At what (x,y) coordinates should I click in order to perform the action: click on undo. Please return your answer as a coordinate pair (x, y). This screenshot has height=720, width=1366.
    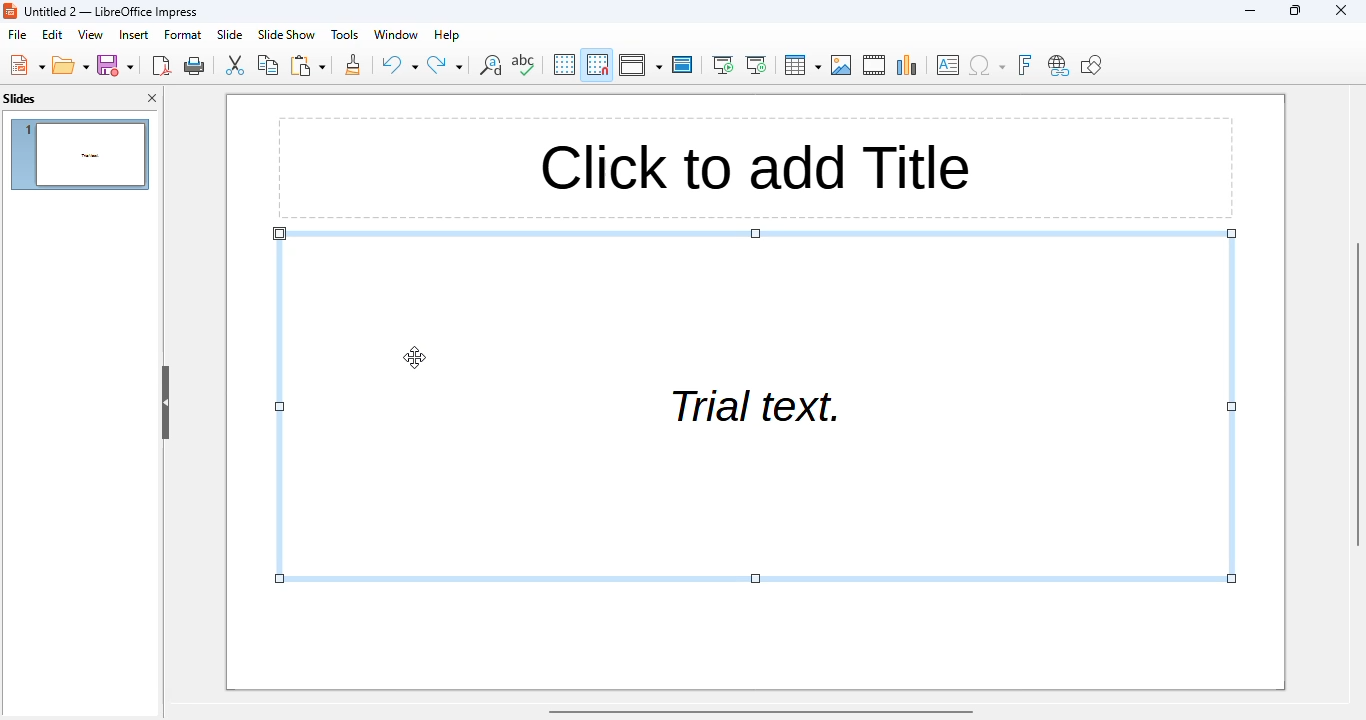
    Looking at the image, I should click on (400, 64).